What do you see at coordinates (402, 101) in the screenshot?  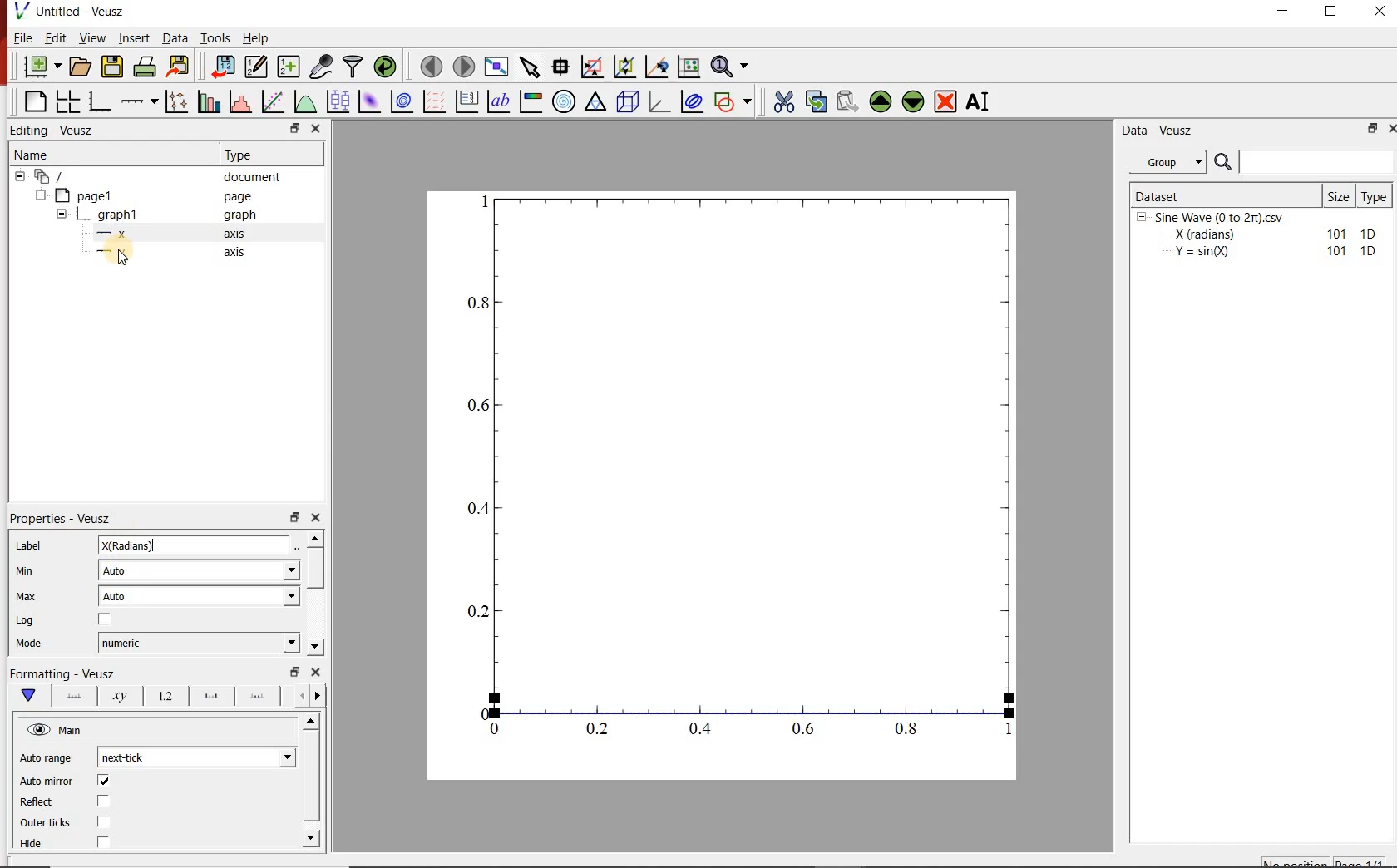 I see `plot 2d dataset as contours` at bounding box center [402, 101].